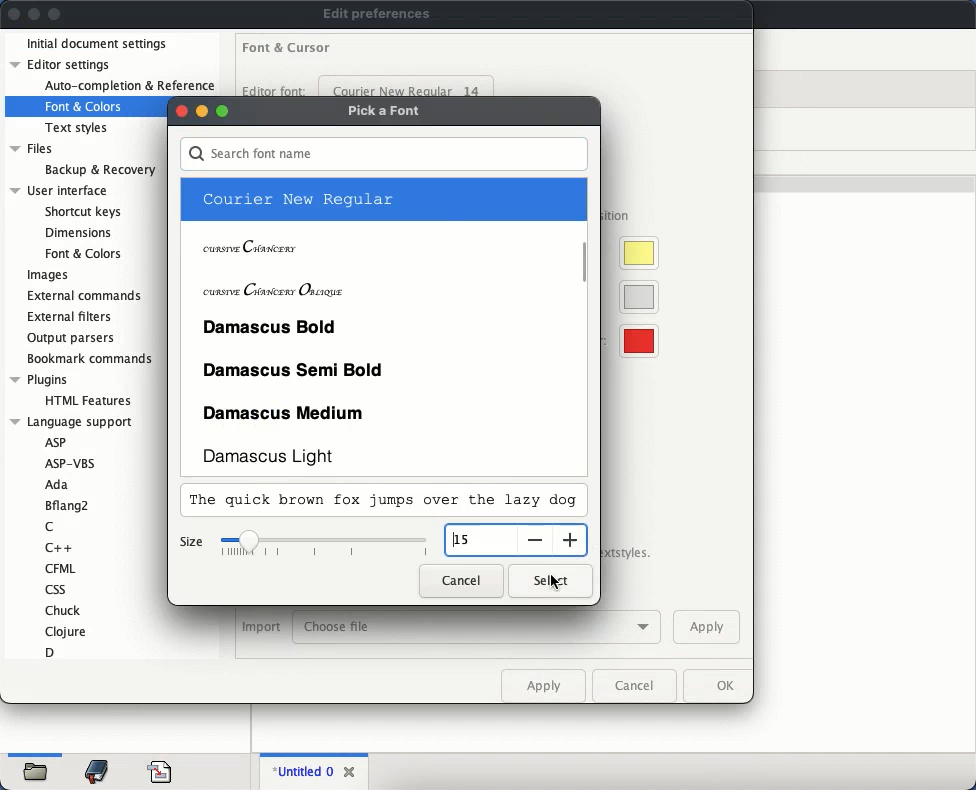 The width and height of the screenshot is (976, 790). Describe the element at coordinates (55, 442) in the screenshot. I see `Asp` at that location.